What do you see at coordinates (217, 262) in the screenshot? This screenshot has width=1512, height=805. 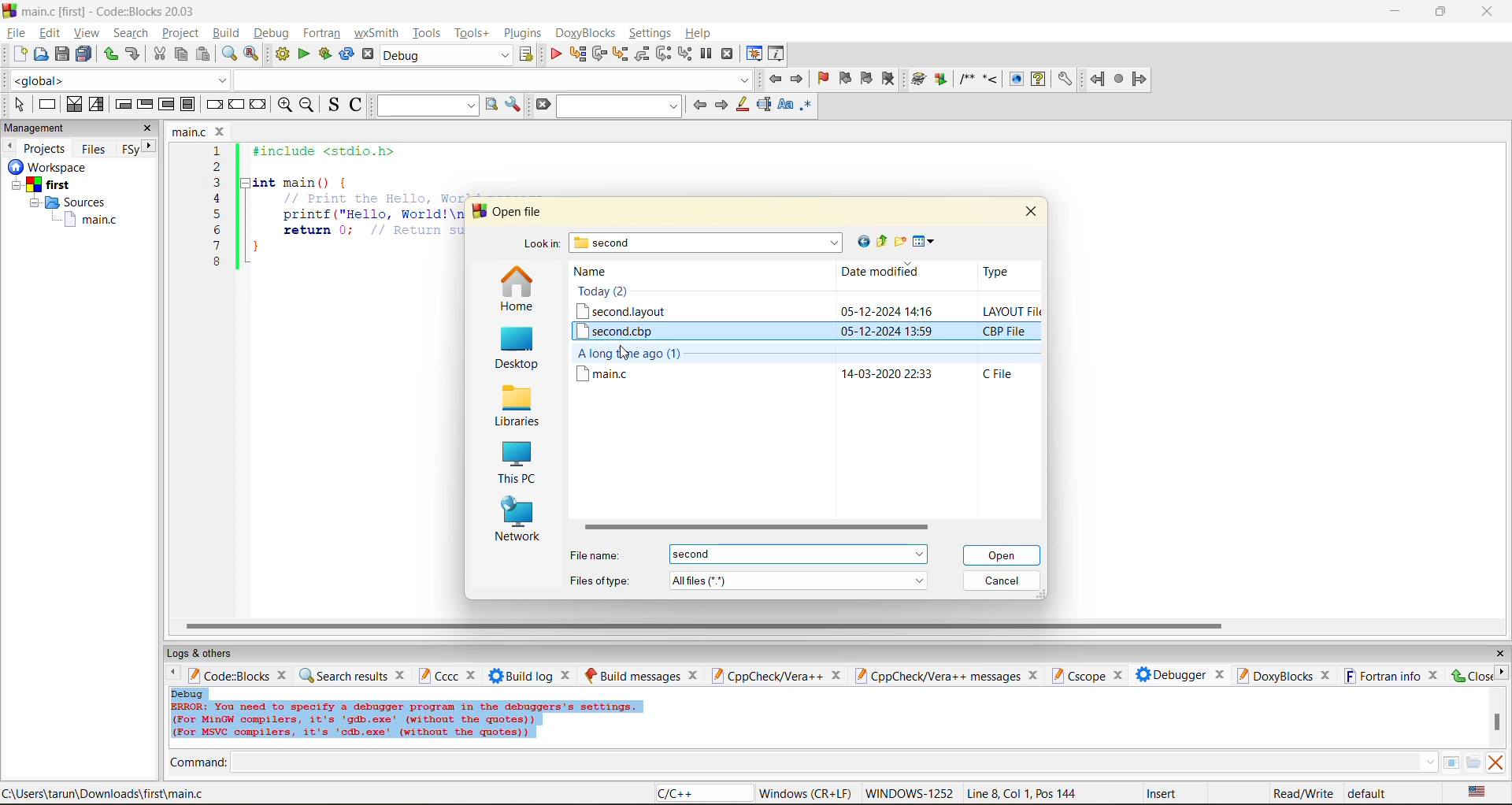 I see `8` at bounding box center [217, 262].